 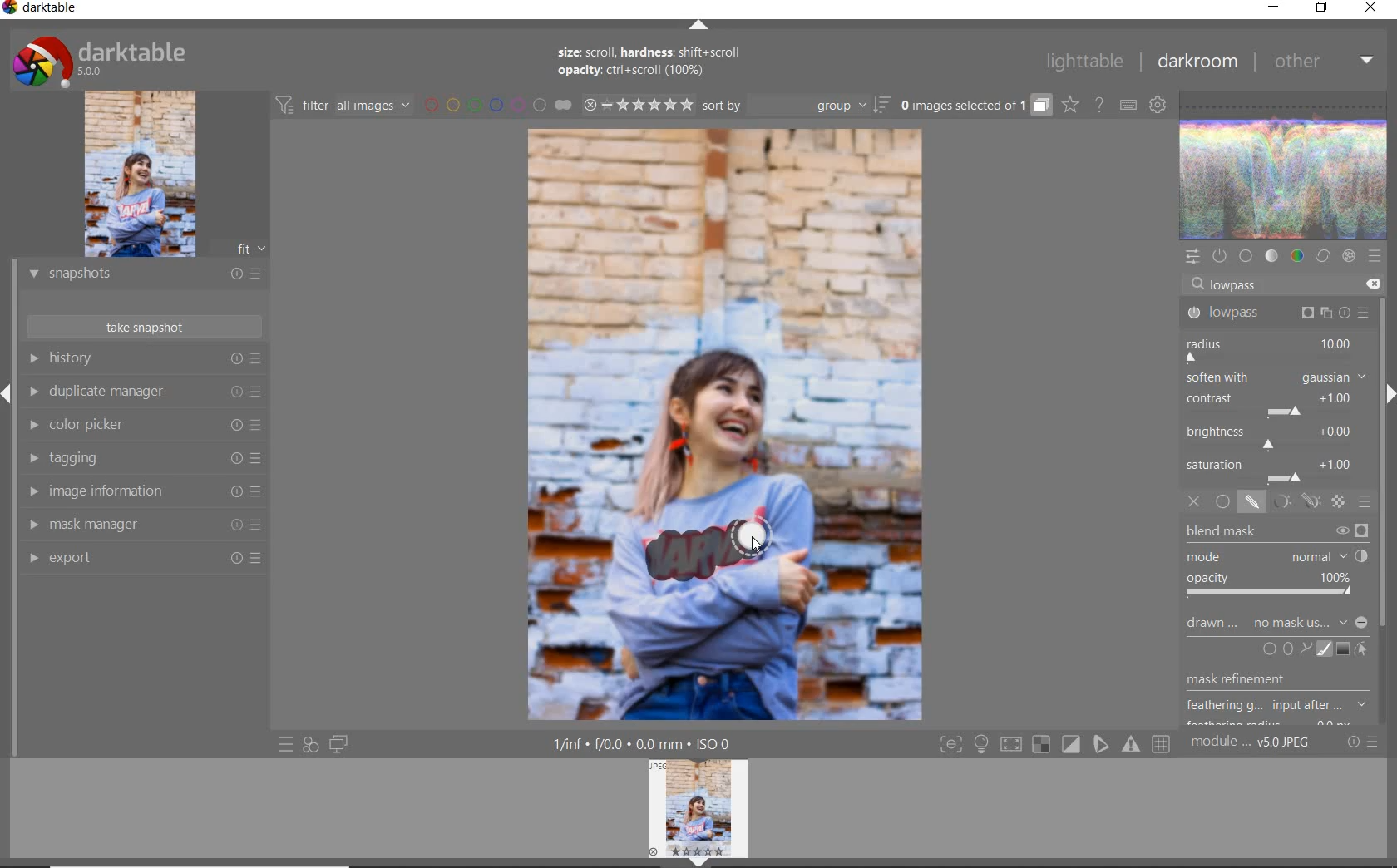 What do you see at coordinates (1383, 447) in the screenshot?
I see `scrollbar` at bounding box center [1383, 447].